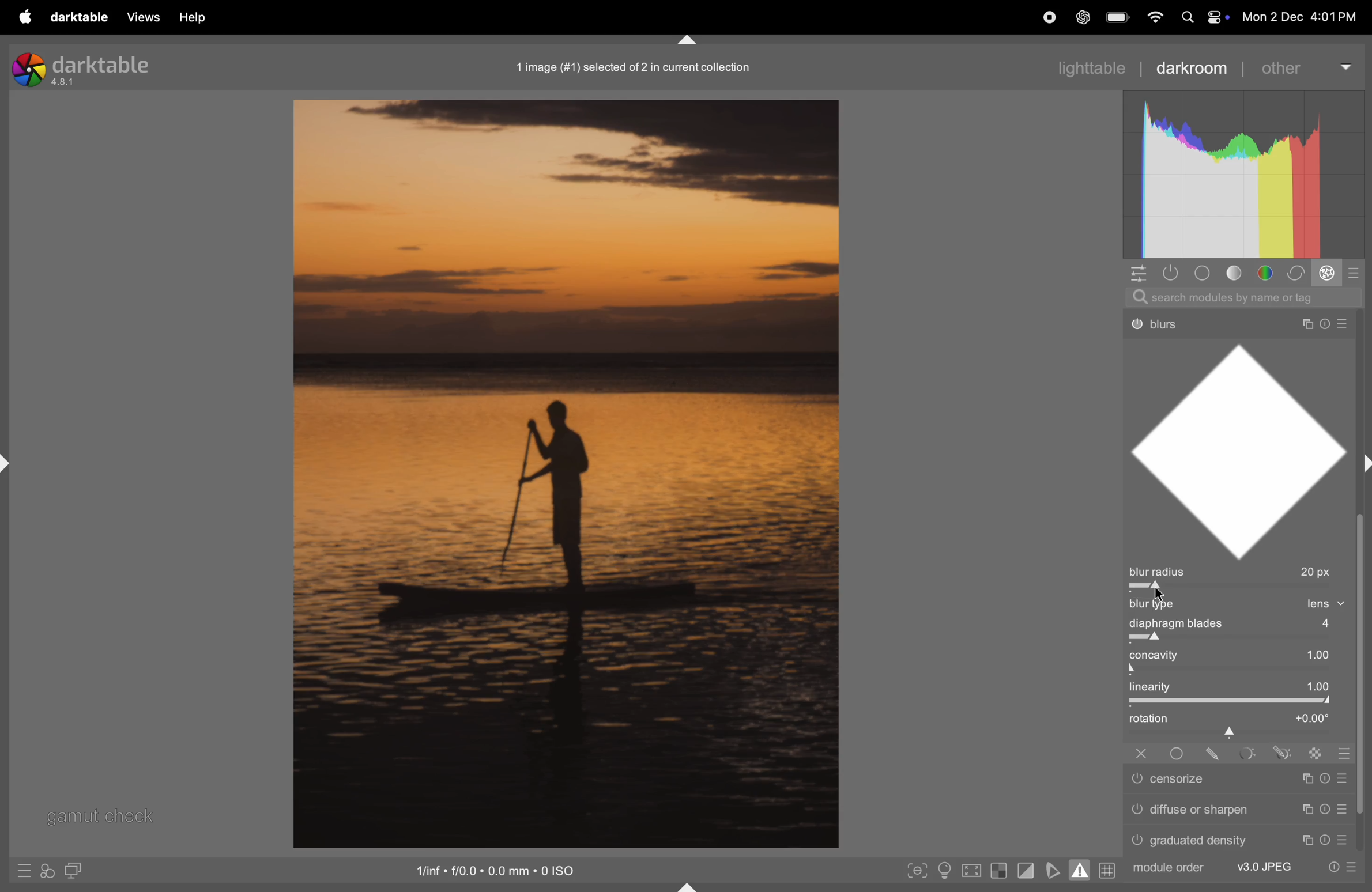 This screenshot has height=892, width=1372. Describe the element at coordinates (1047, 17) in the screenshot. I see `record` at that location.